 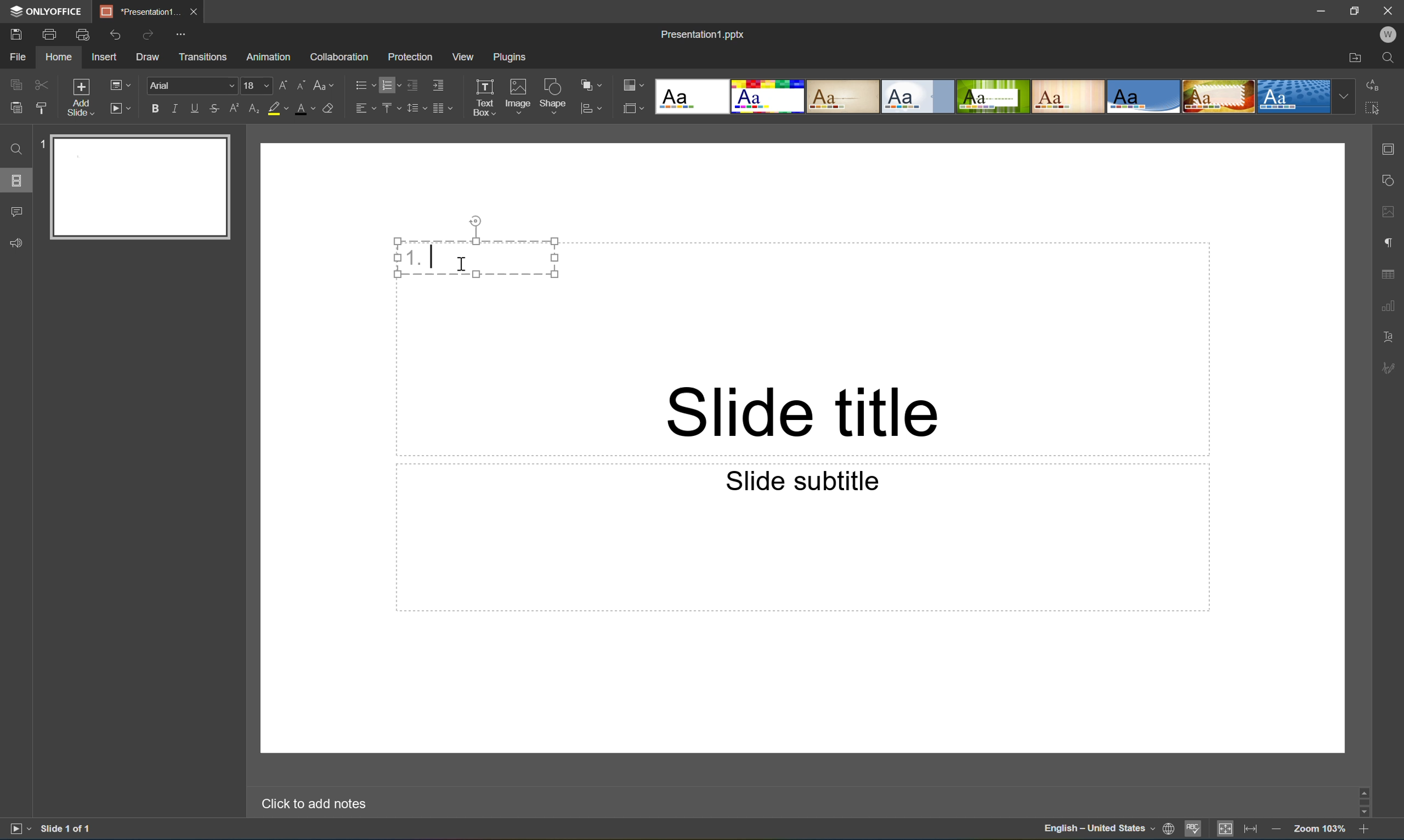 I want to click on Select all, so click(x=1373, y=107).